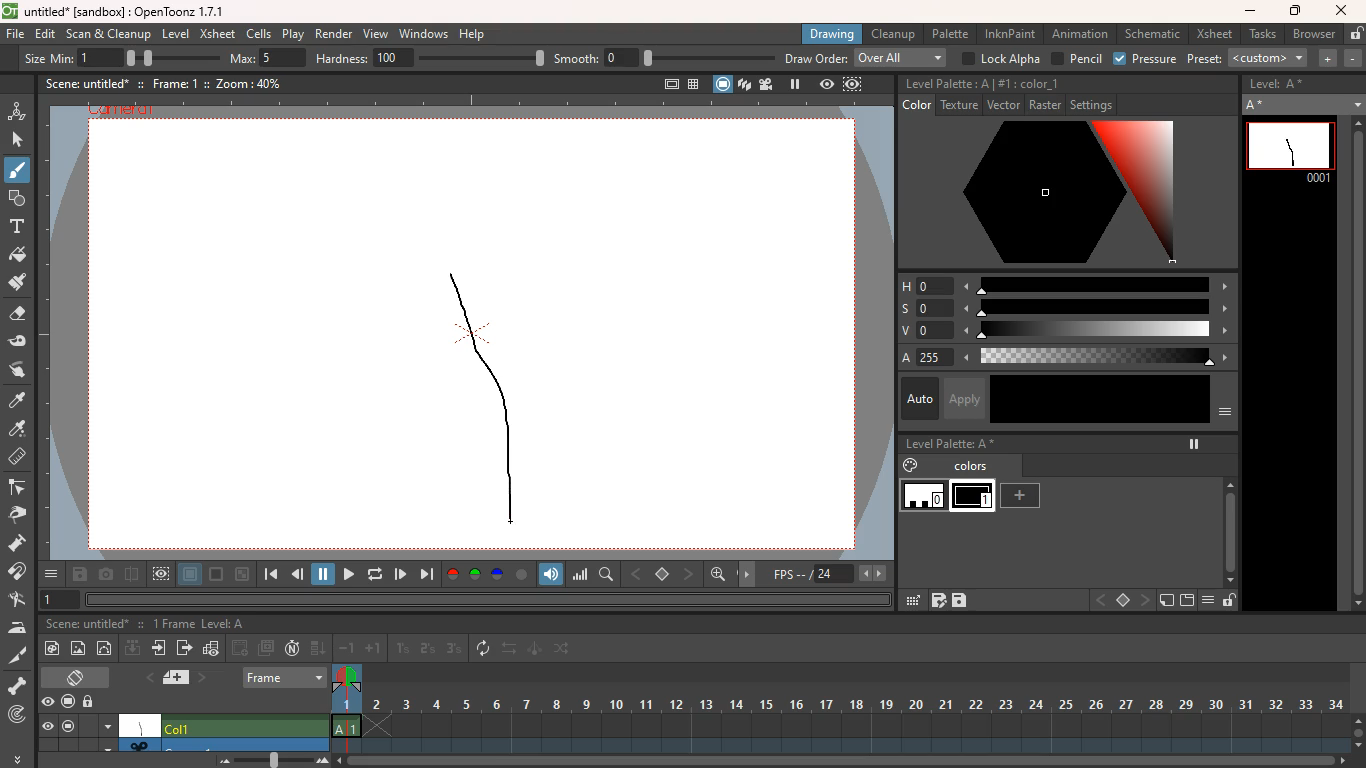 This screenshot has height=768, width=1366. What do you see at coordinates (565, 651) in the screenshot?
I see `change` at bounding box center [565, 651].